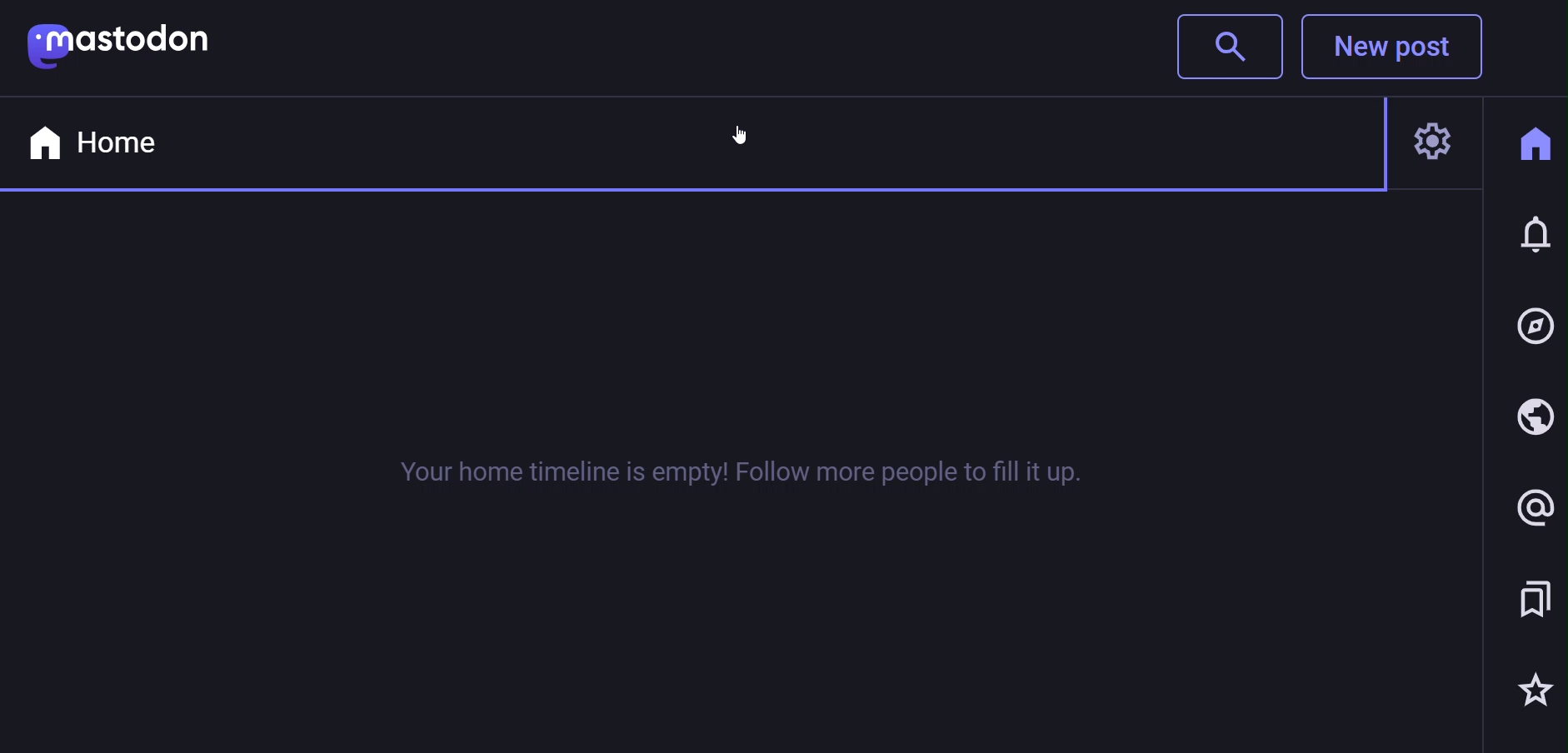 This screenshot has width=1568, height=753. What do you see at coordinates (1527, 508) in the screenshot?
I see `private mention` at bounding box center [1527, 508].